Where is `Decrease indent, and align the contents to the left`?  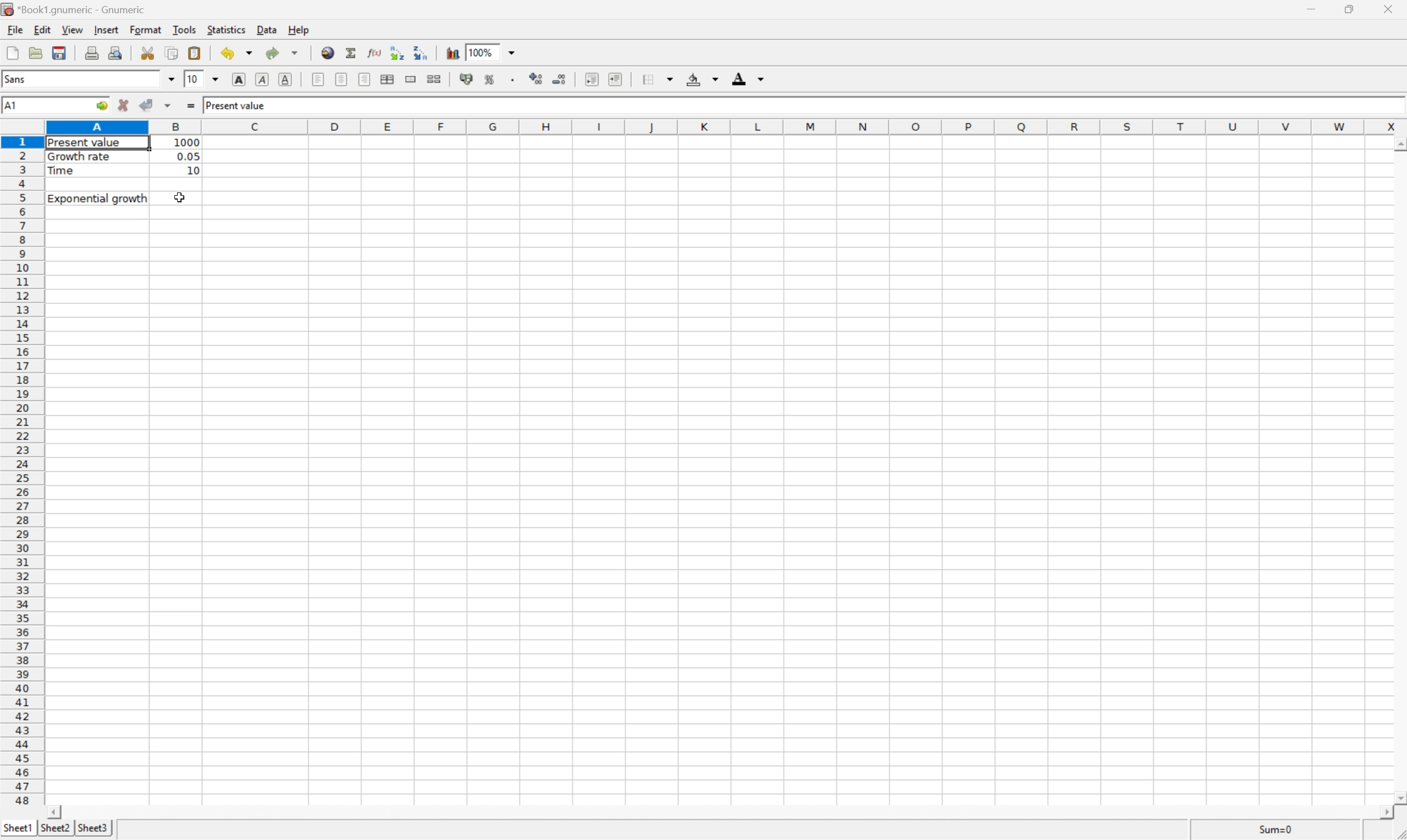
Decrease indent, and align the contents to the left is located at coordinates (592, 78).